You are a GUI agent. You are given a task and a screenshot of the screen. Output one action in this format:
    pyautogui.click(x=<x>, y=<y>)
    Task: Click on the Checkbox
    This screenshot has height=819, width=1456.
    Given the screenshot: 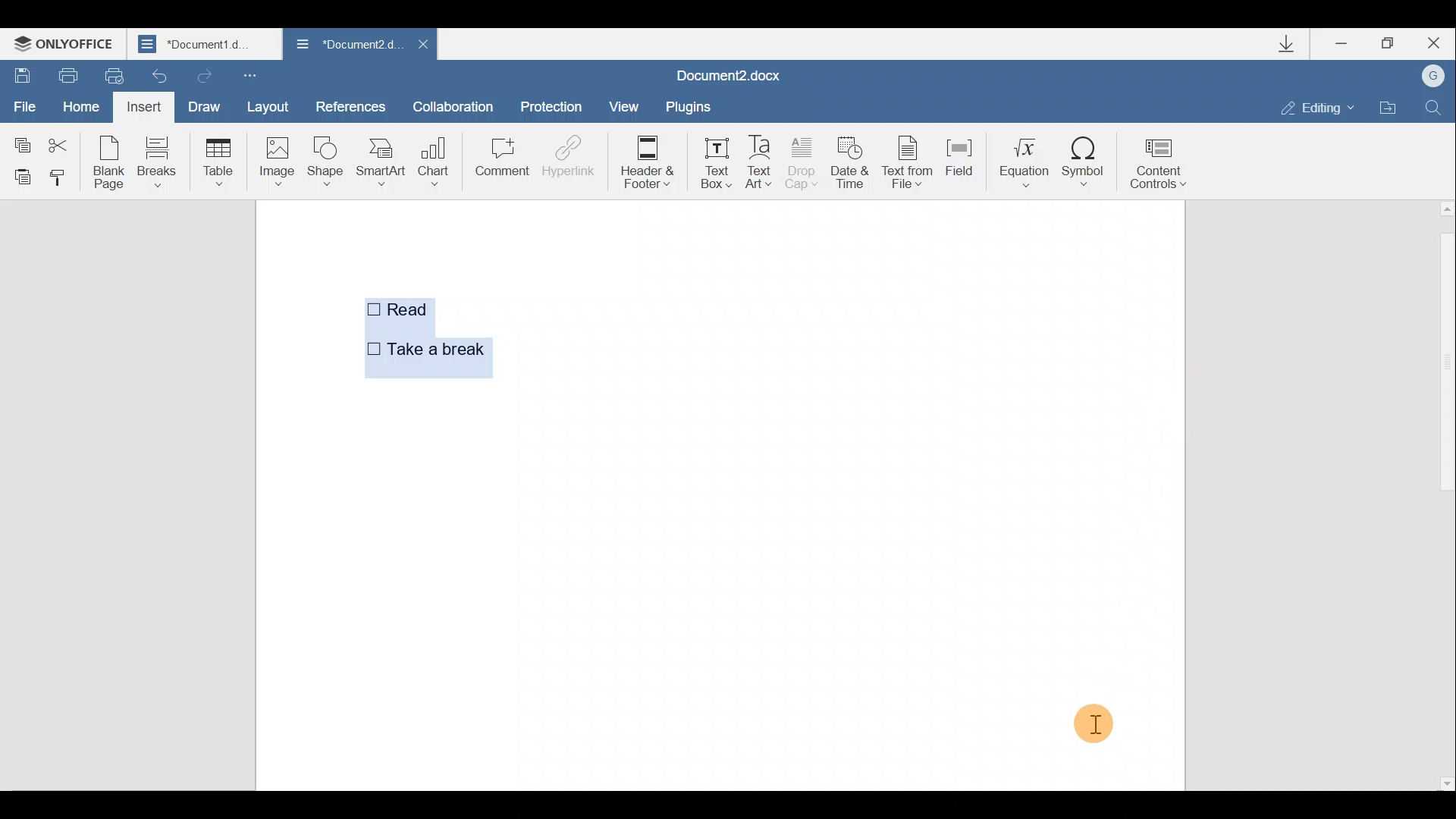 What is the action you would take?
    pyautogui.click(x=369, y=348)
    